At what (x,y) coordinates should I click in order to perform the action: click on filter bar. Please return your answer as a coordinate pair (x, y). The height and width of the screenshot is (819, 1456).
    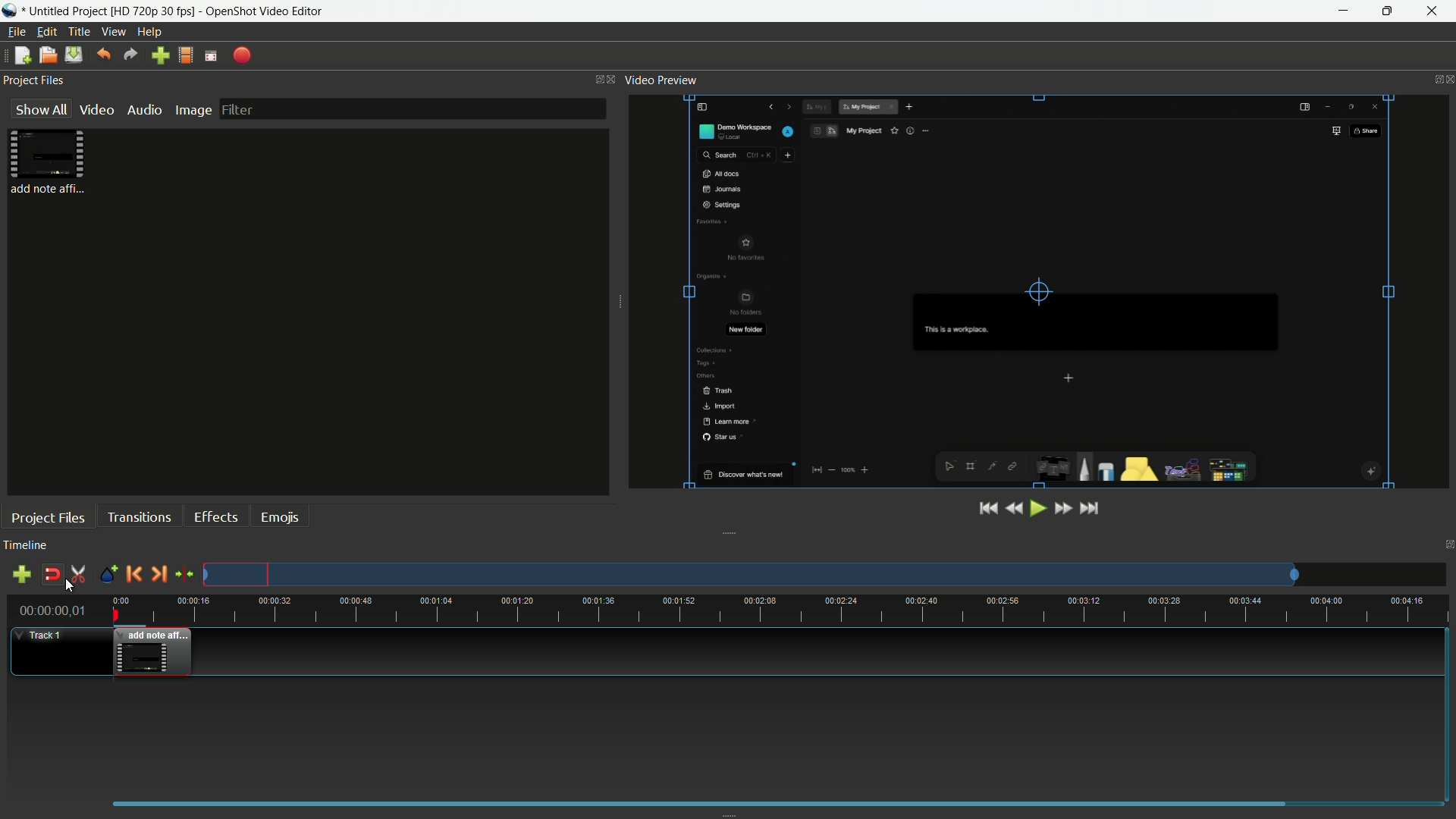
    Looking at the image, I should click on (411, 109).